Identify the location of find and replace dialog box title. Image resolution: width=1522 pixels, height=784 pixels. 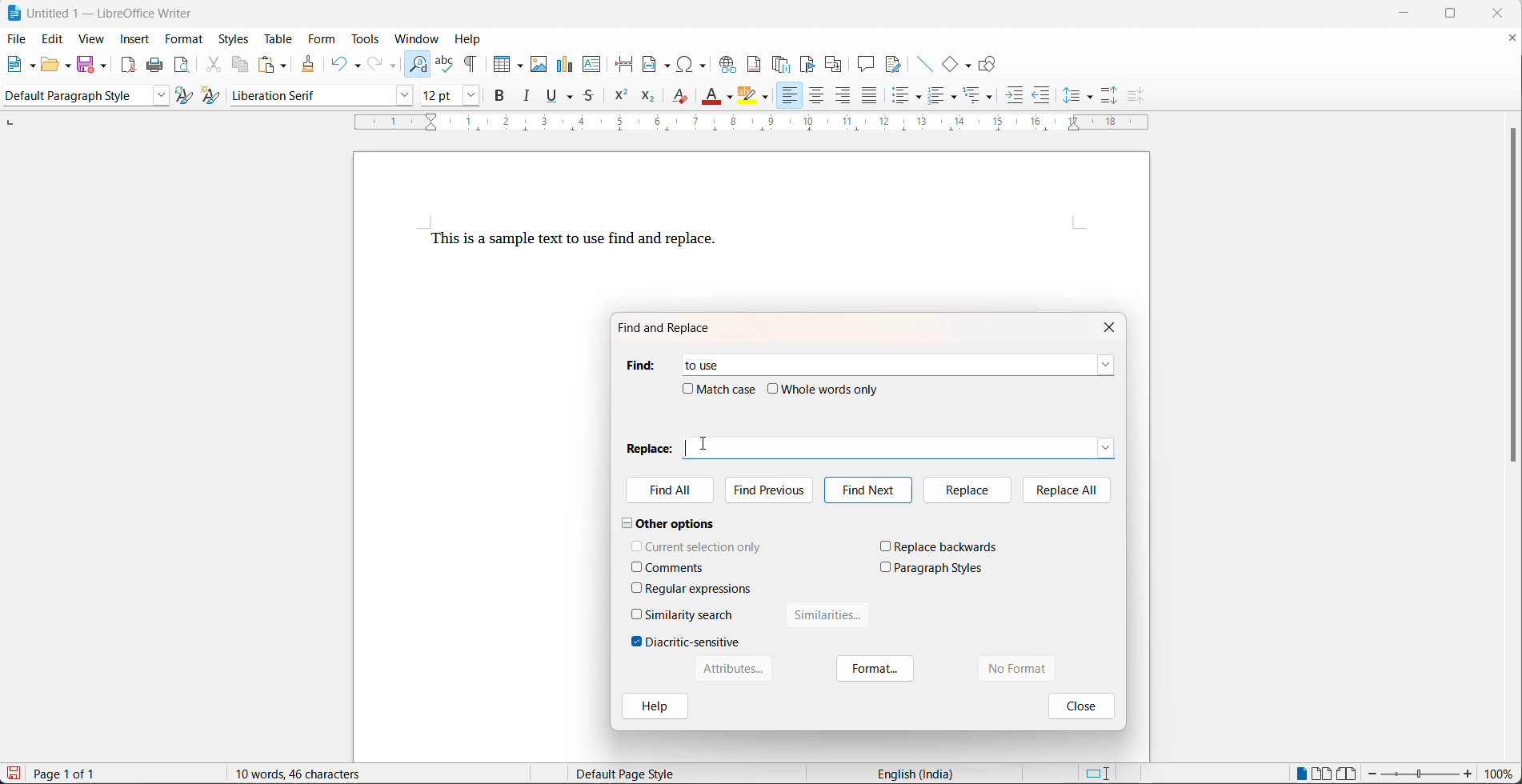
(673, 328).